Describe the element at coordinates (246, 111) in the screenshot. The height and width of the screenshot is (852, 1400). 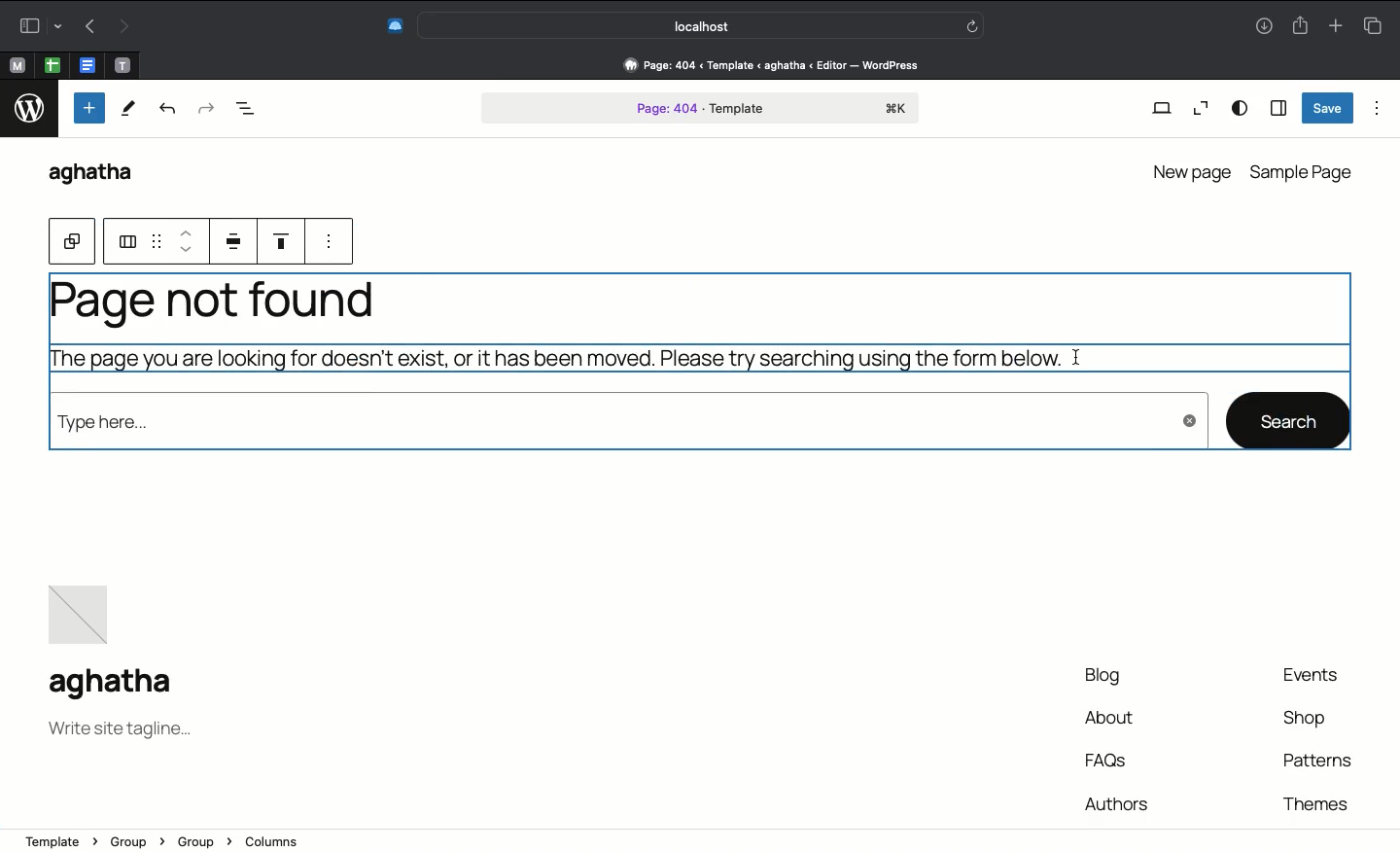
I see `Document overview` at that location.